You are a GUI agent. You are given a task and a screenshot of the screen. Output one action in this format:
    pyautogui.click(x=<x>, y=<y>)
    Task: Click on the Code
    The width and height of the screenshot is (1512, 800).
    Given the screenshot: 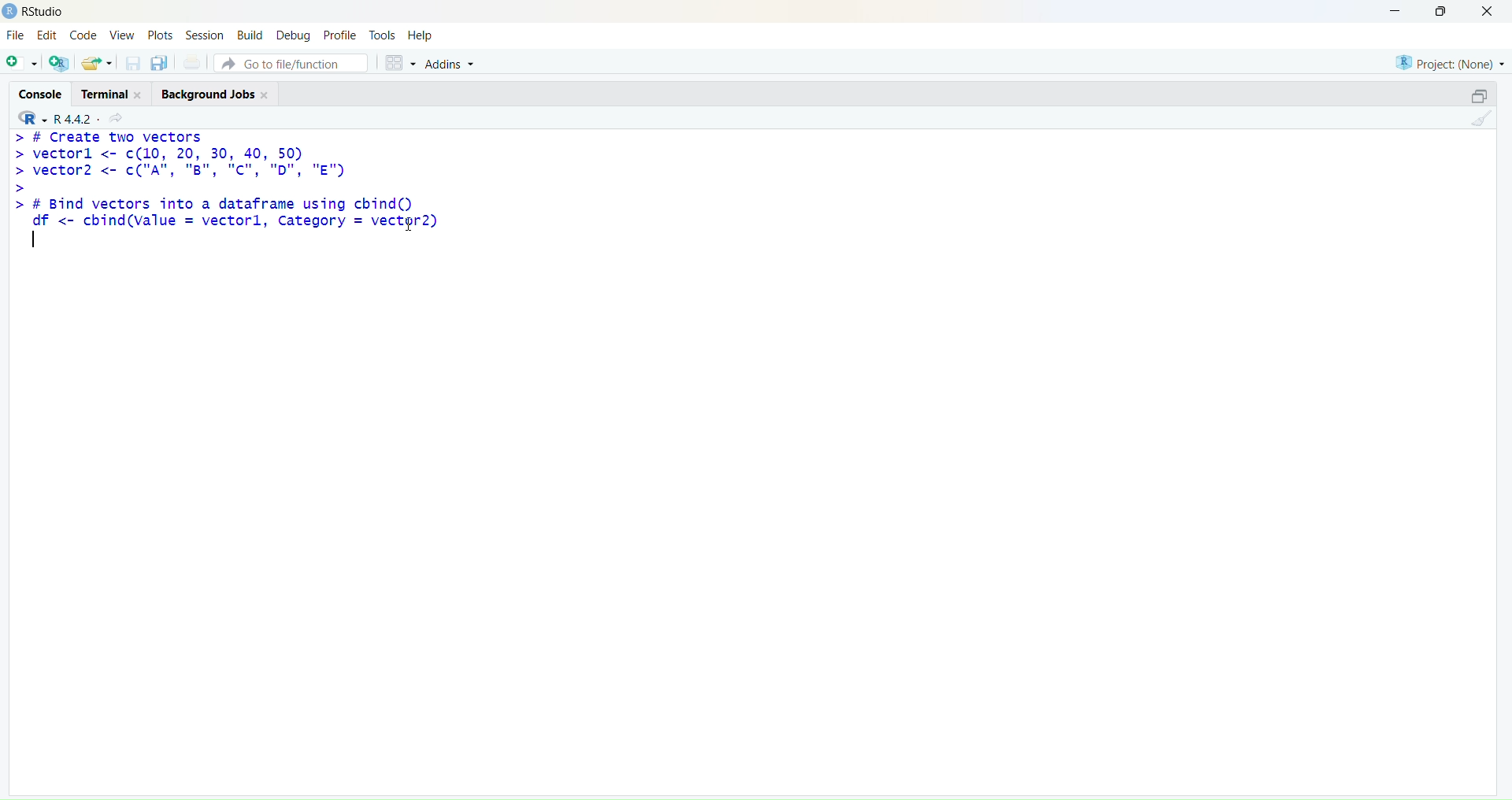 What is the action you would take?
    pyautogui.click(x=84, y=34)
    